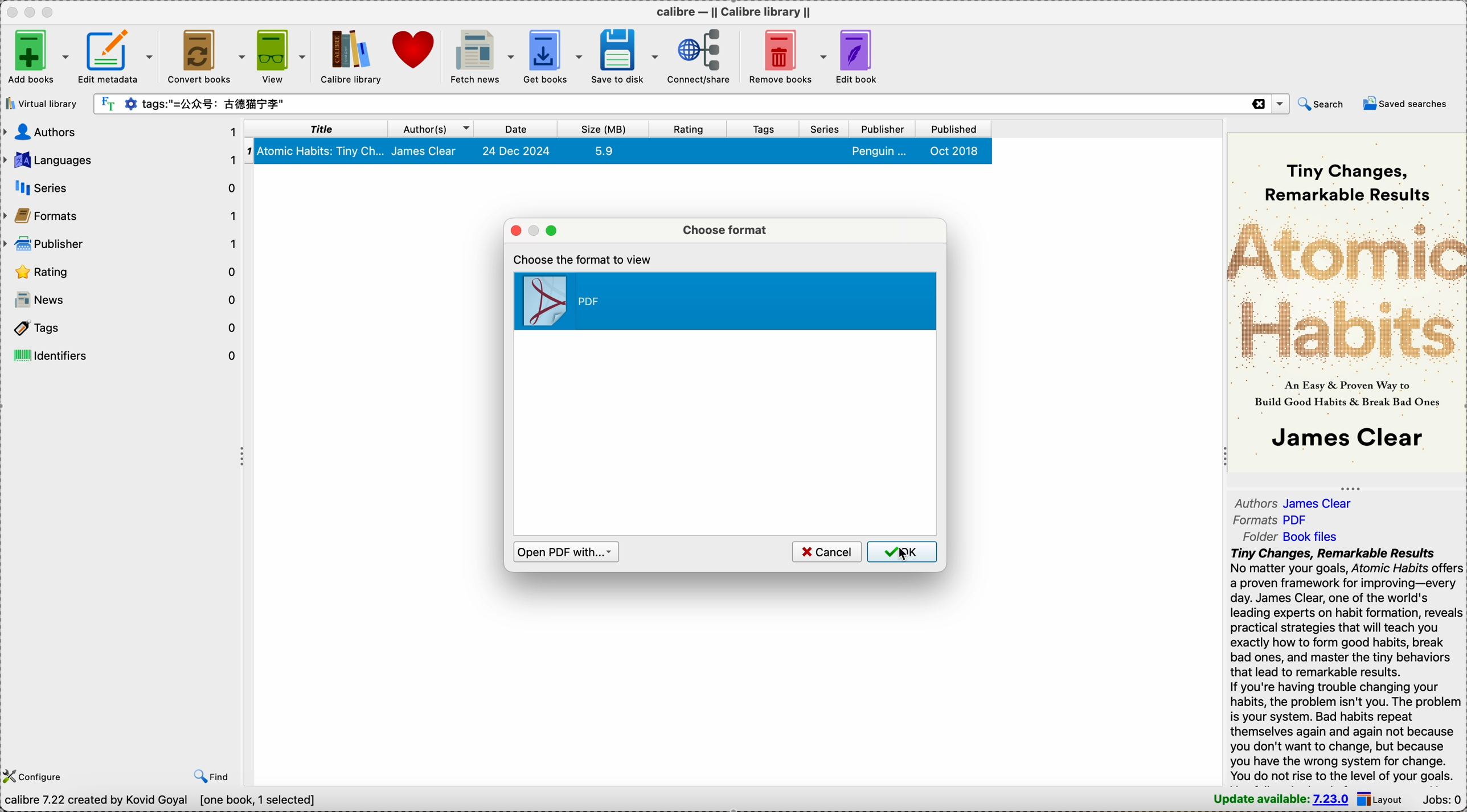 Image resolution: width=1467 pixels, height=812 pixels. Describe the element at coordinates (625, 55) in the screenshot. I see `save to disk` at that location.